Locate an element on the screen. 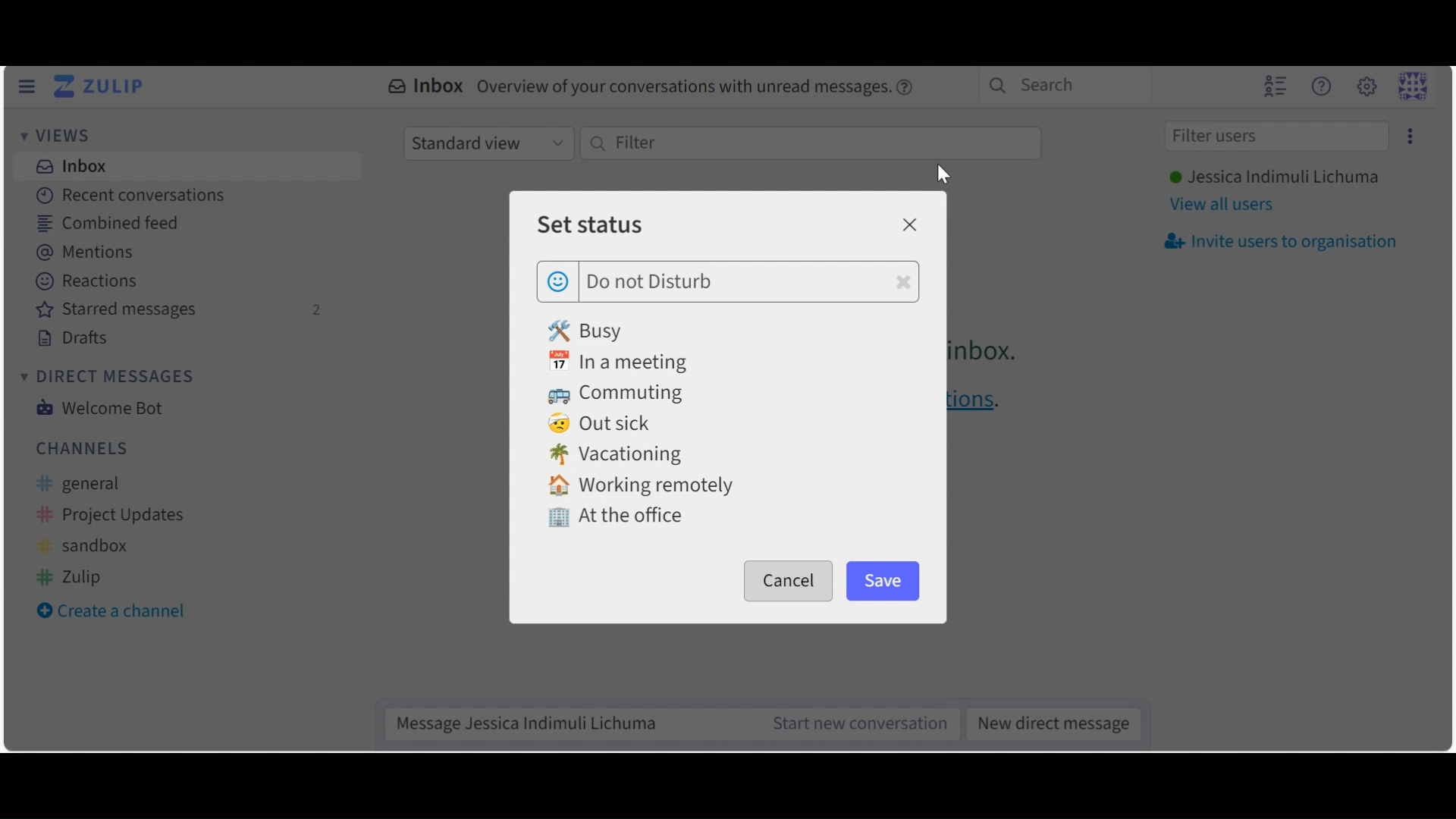 The height and width of the screenshot is (819, 1456). Inbox is located at coordinates (69, 165).